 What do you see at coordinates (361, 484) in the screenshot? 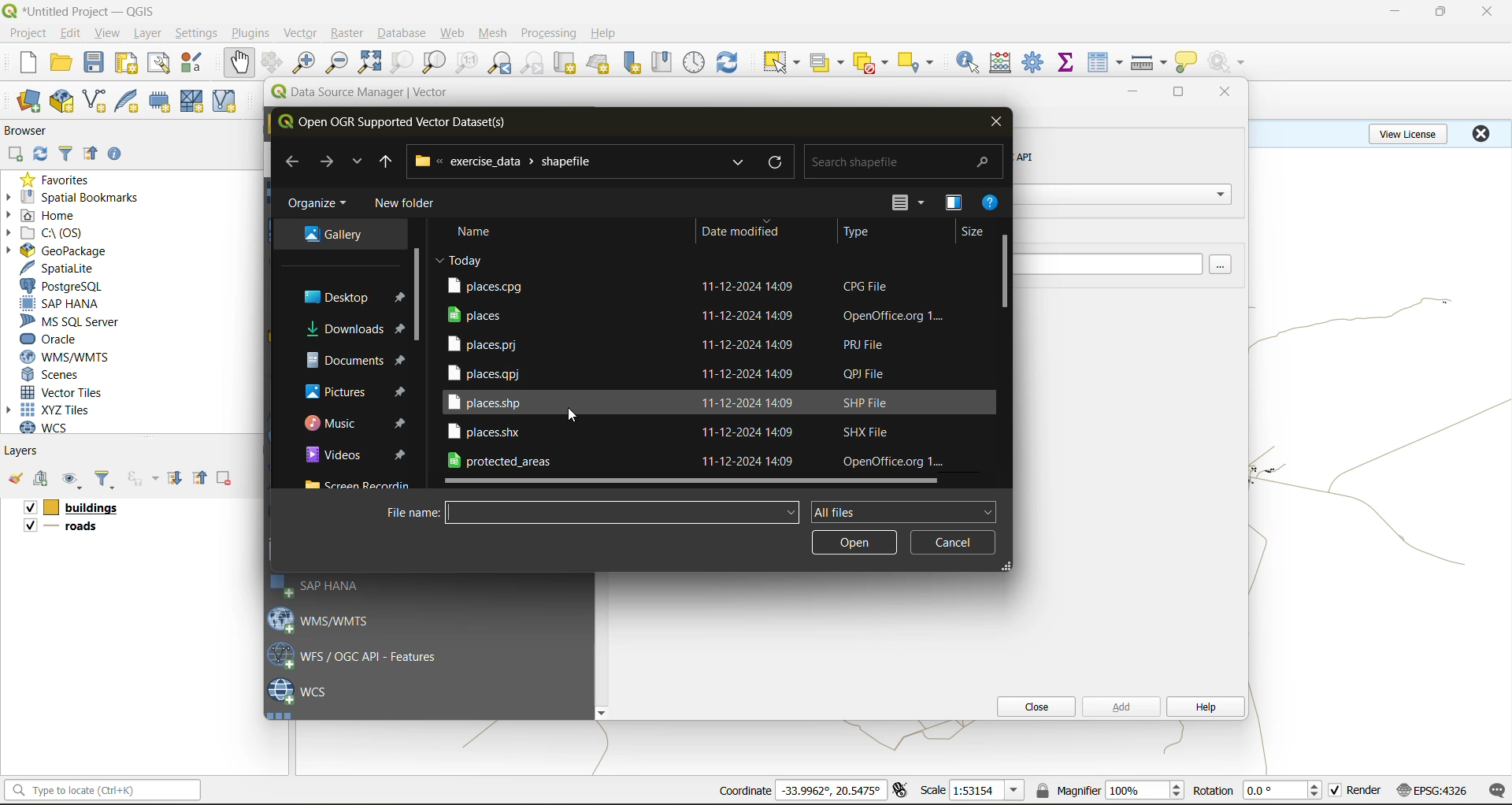
I see `folder explorer` at bounding box center [361, 484].